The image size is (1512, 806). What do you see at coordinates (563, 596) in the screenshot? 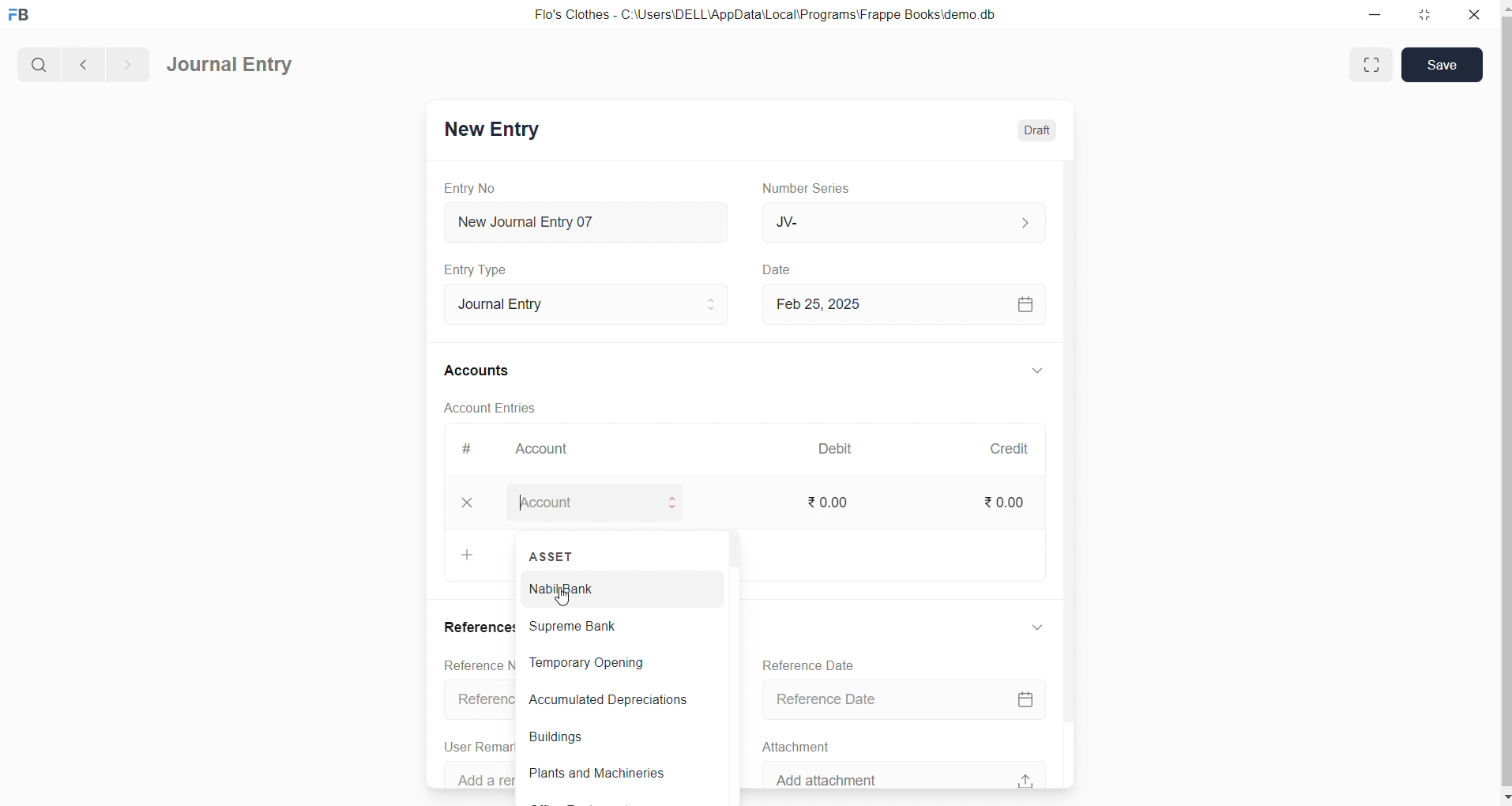
I see `cursor` at bounding box center [563, 596].